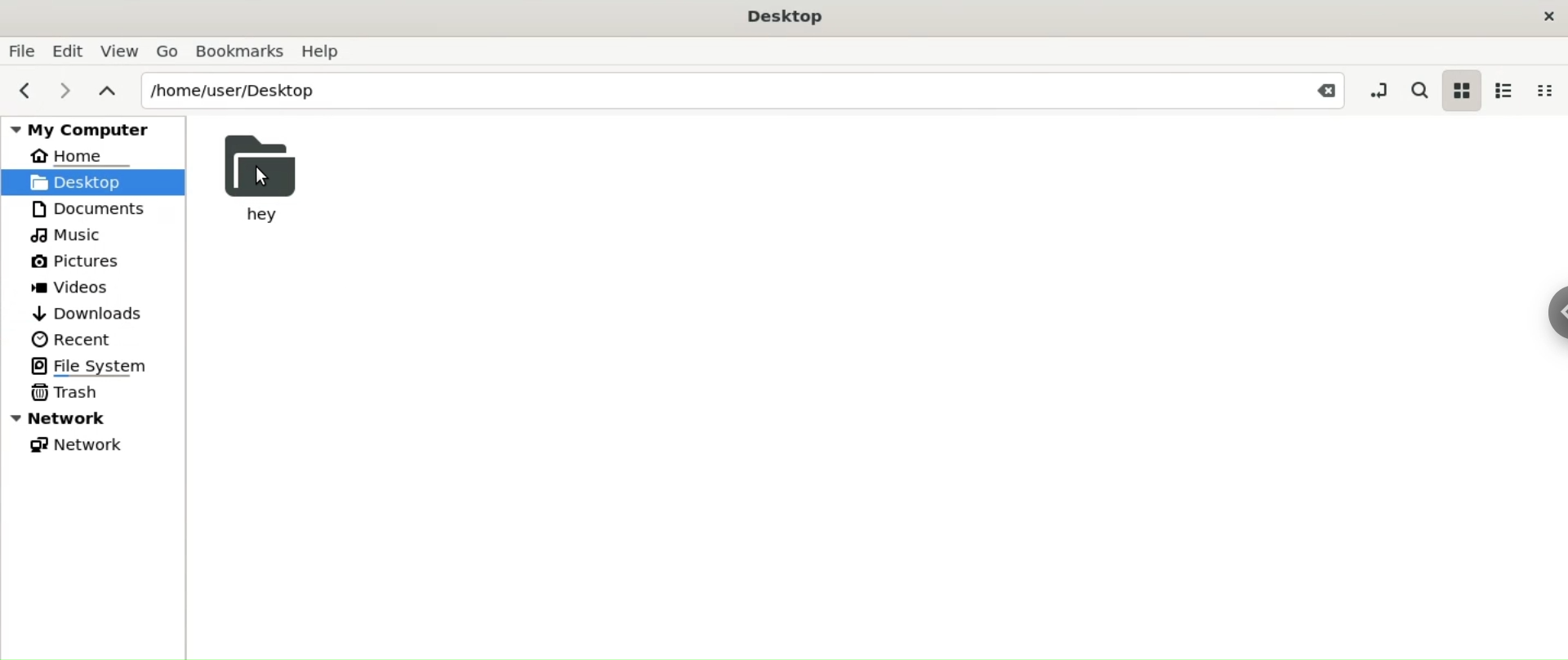 The height and width of the screenshot is (660, 1568). Describe the element at coordinates (67, 235) in the screenshot. I see `Music` at that location.